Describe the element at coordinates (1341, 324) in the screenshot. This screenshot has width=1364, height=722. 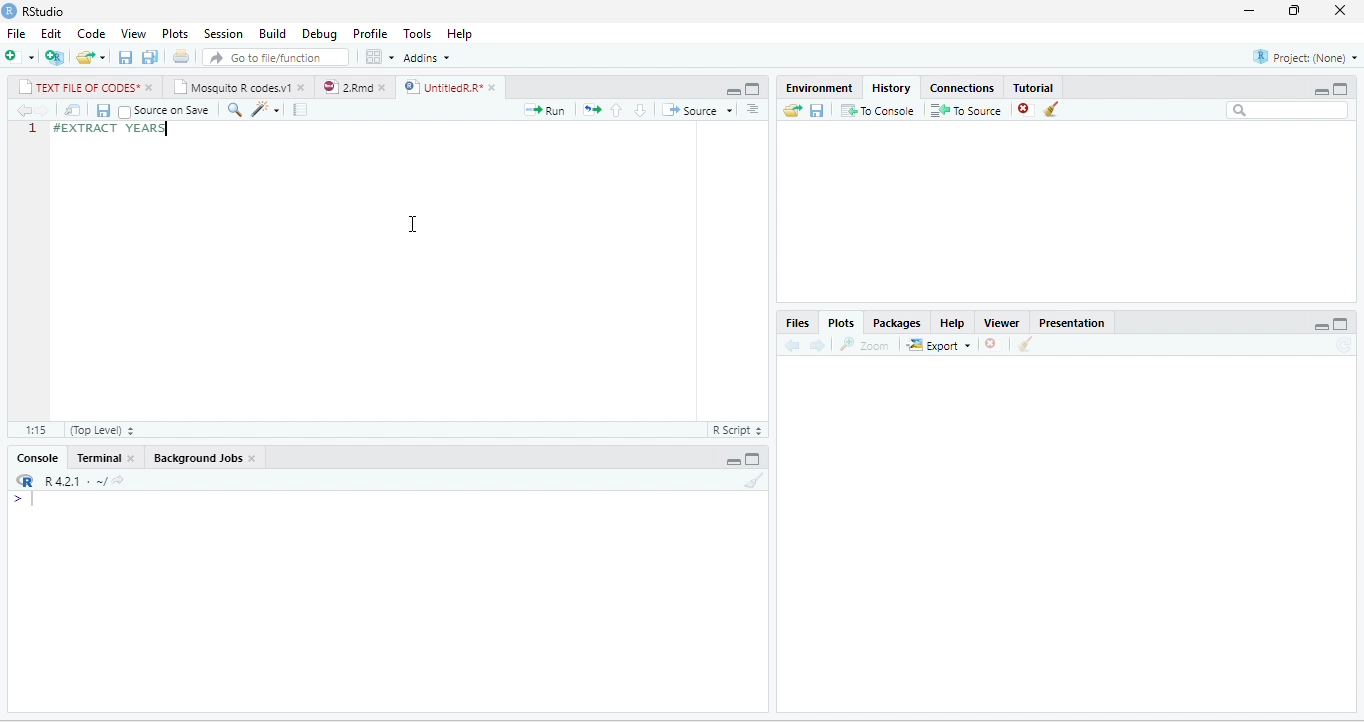
I see `maximize` at that location.